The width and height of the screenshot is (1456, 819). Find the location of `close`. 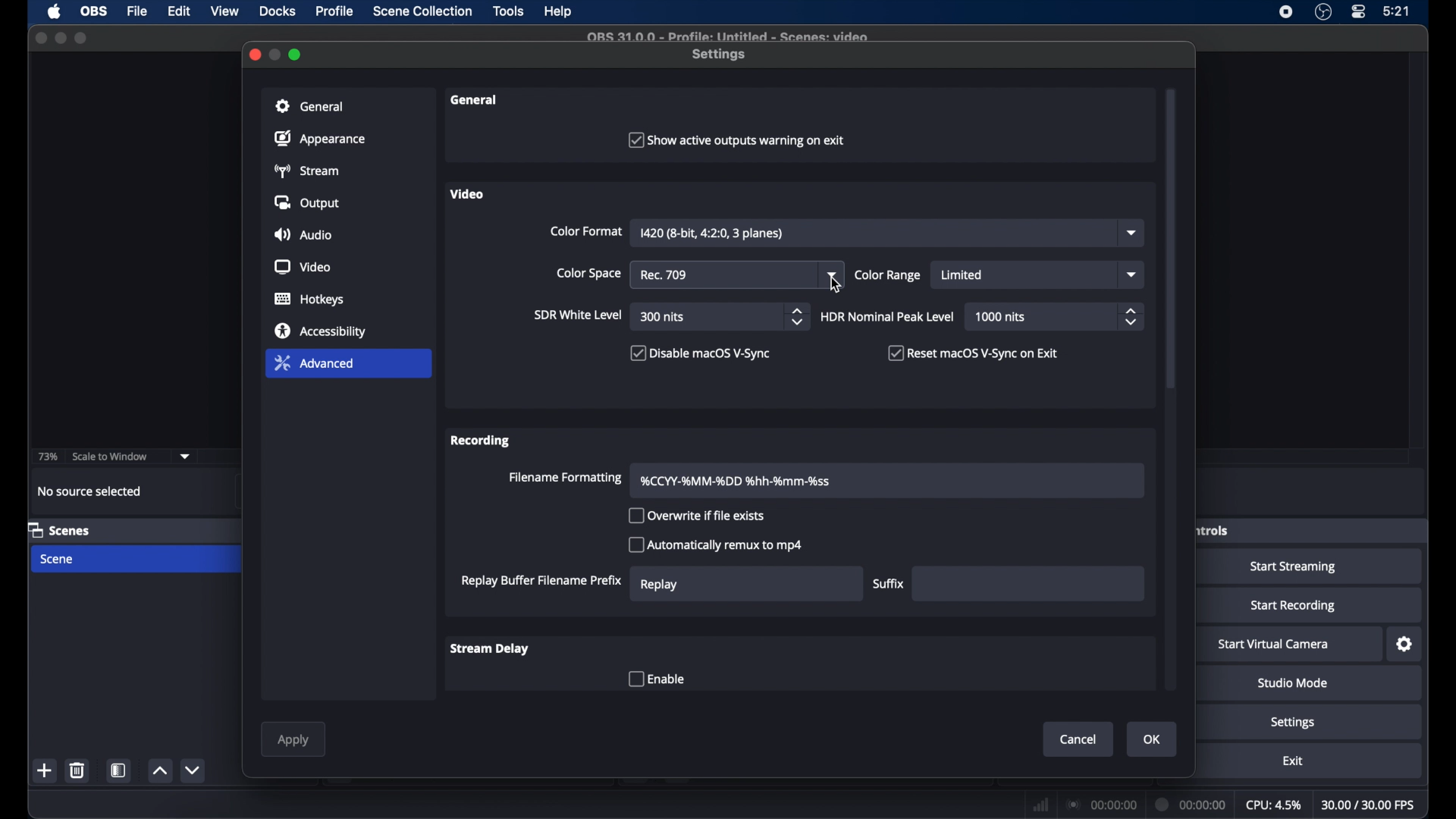

close is located at coordinates (255, 55).